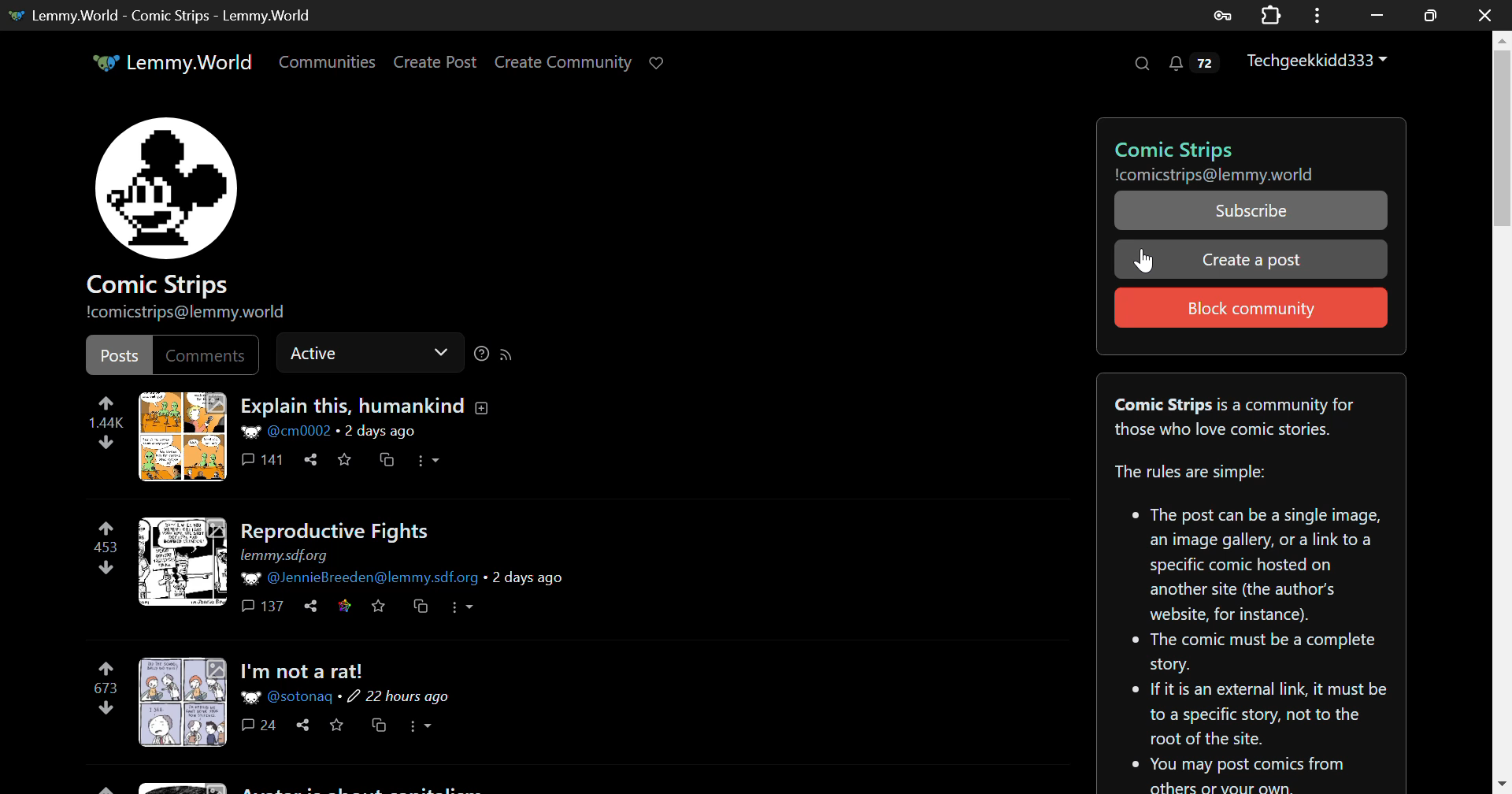  Describe the element at coordinates (120, 355) in the screenshot. I see `Posts Filter Selected` at that location.